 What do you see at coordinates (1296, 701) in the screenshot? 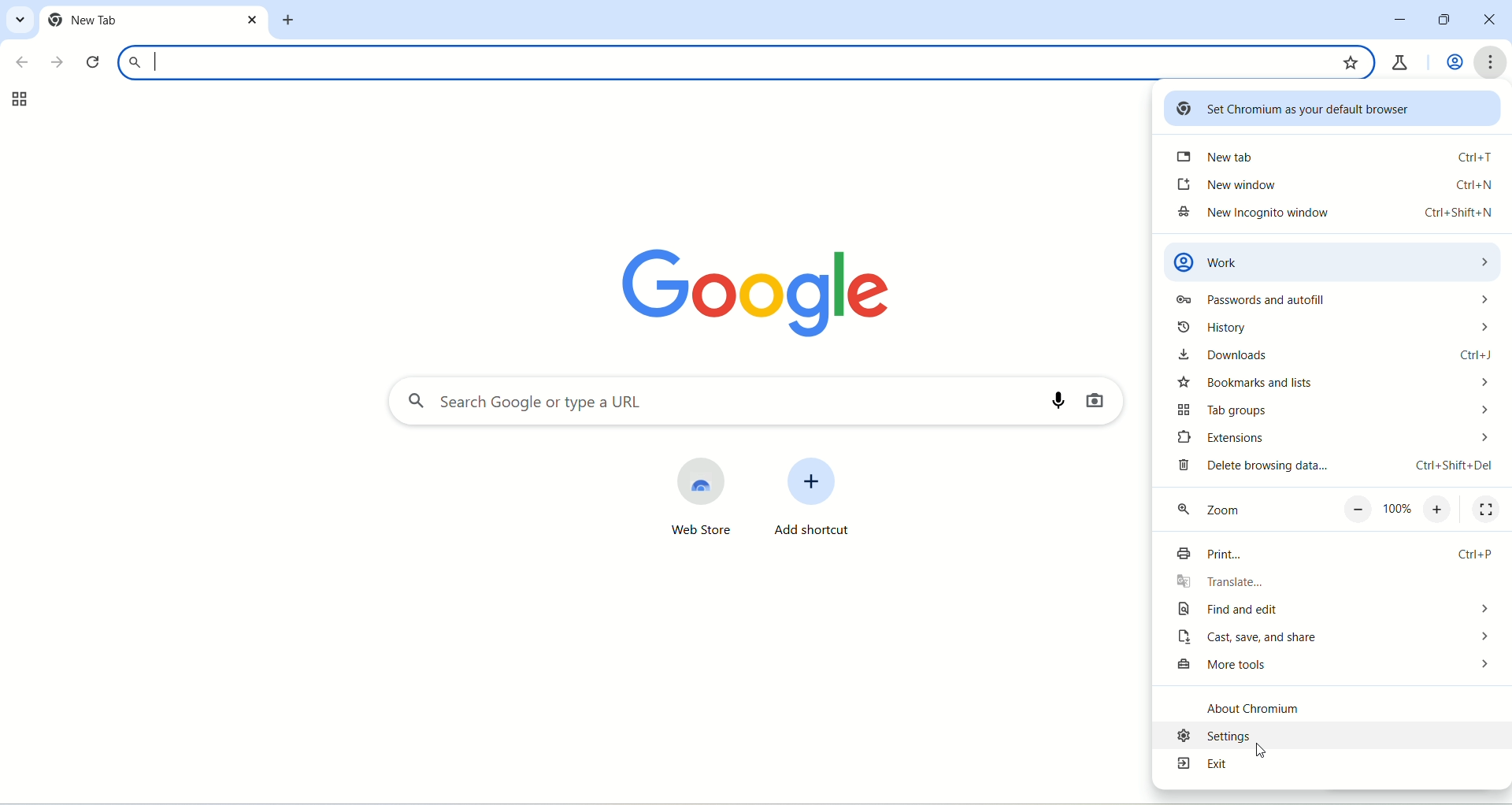
I see `about chromium` at bounding box center [1296, 701].